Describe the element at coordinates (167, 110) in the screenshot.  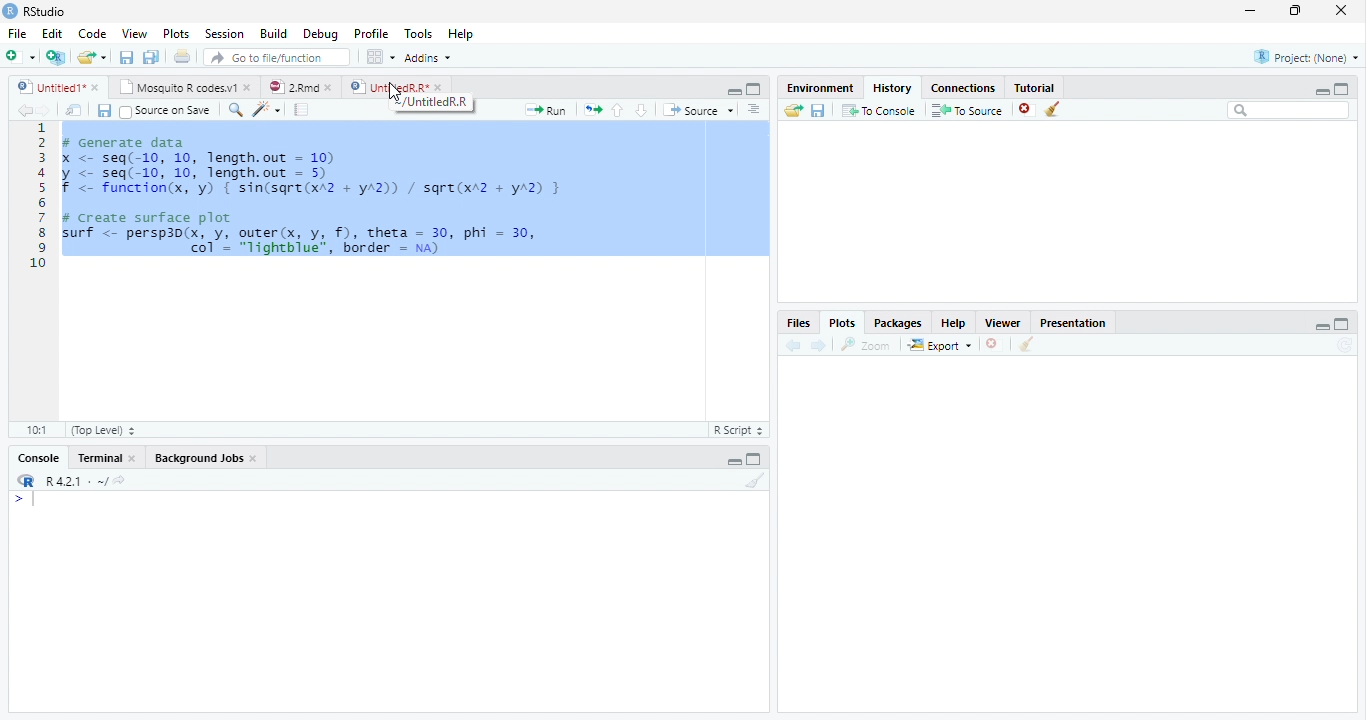
I see `Source on Save` at that location.